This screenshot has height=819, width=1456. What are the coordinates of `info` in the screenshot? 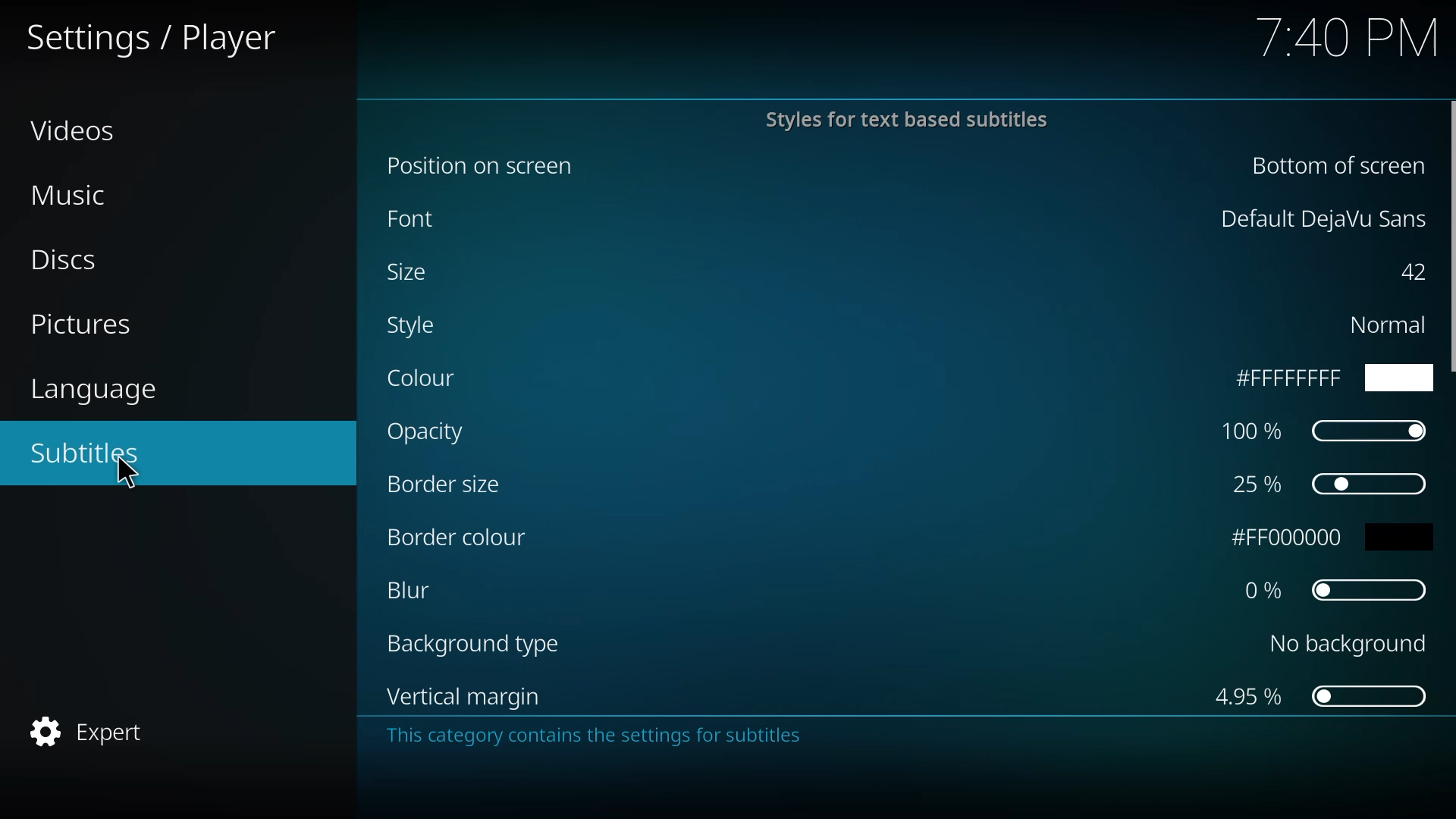 It's located at (598, 734).